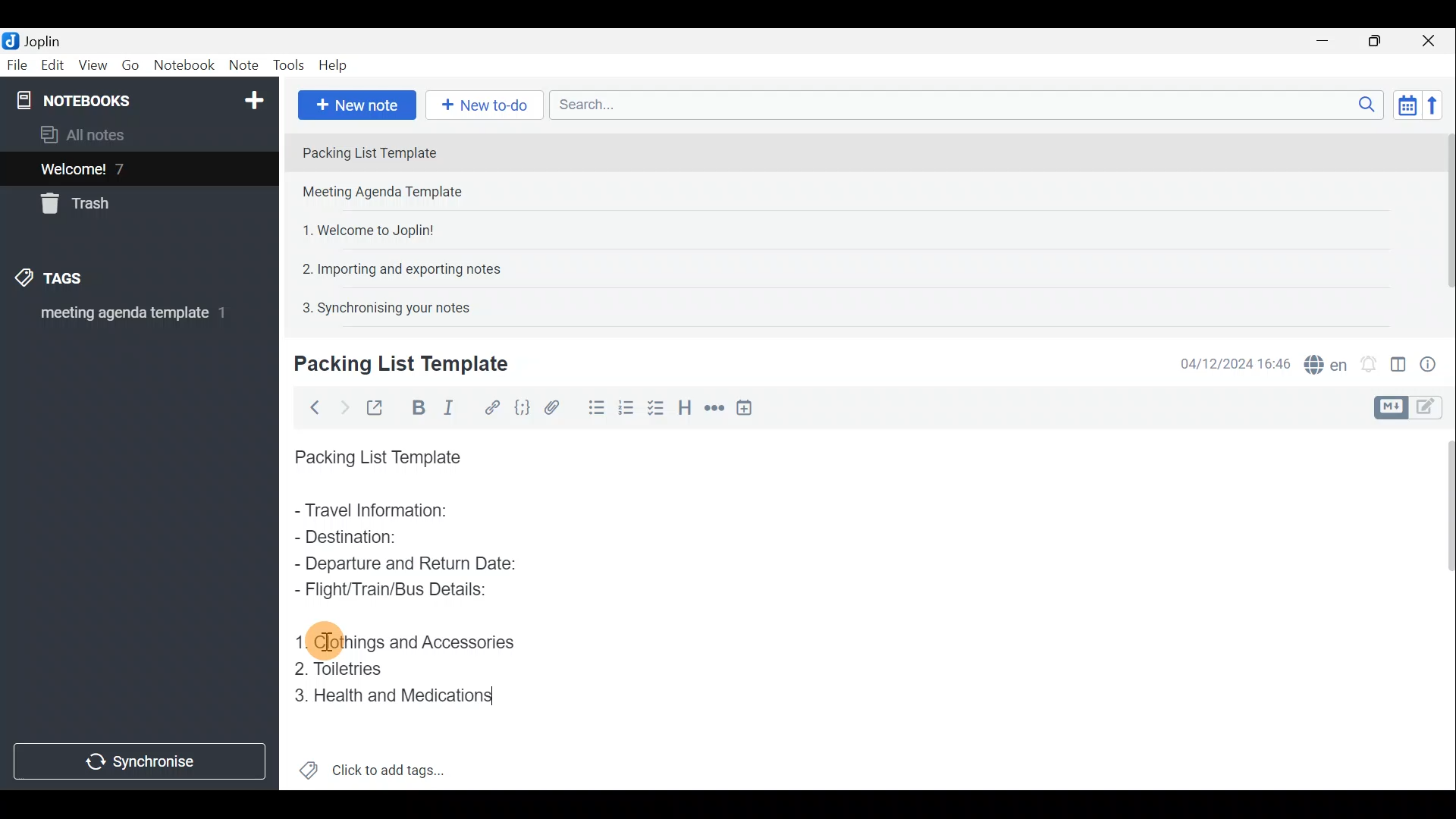 The height and width of the screenshot is (819, 1456). I want to click on Toggle editors, so click(1433, 409).